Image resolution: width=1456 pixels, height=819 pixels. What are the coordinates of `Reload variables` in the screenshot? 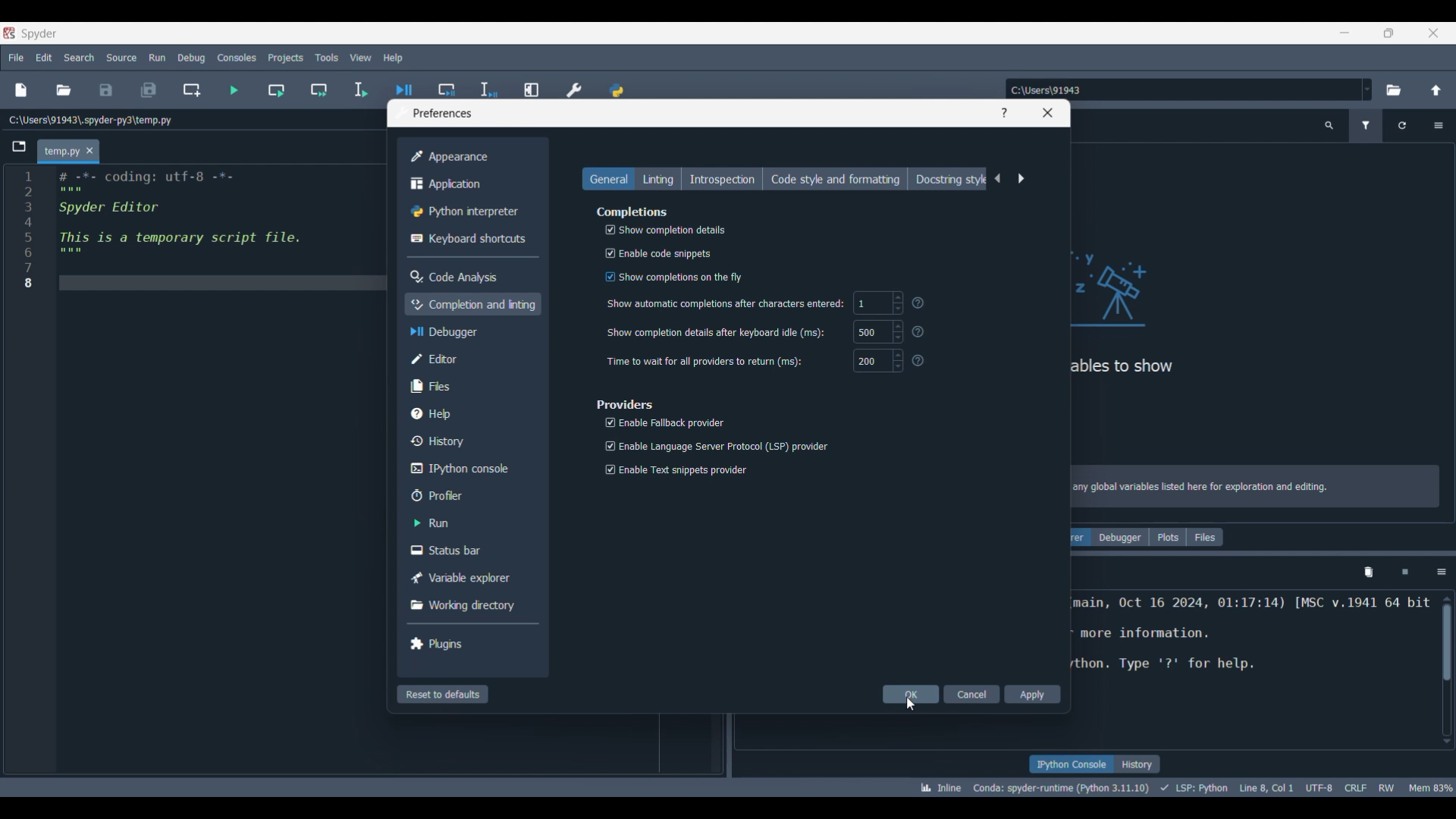 It's located at (1401, 126).